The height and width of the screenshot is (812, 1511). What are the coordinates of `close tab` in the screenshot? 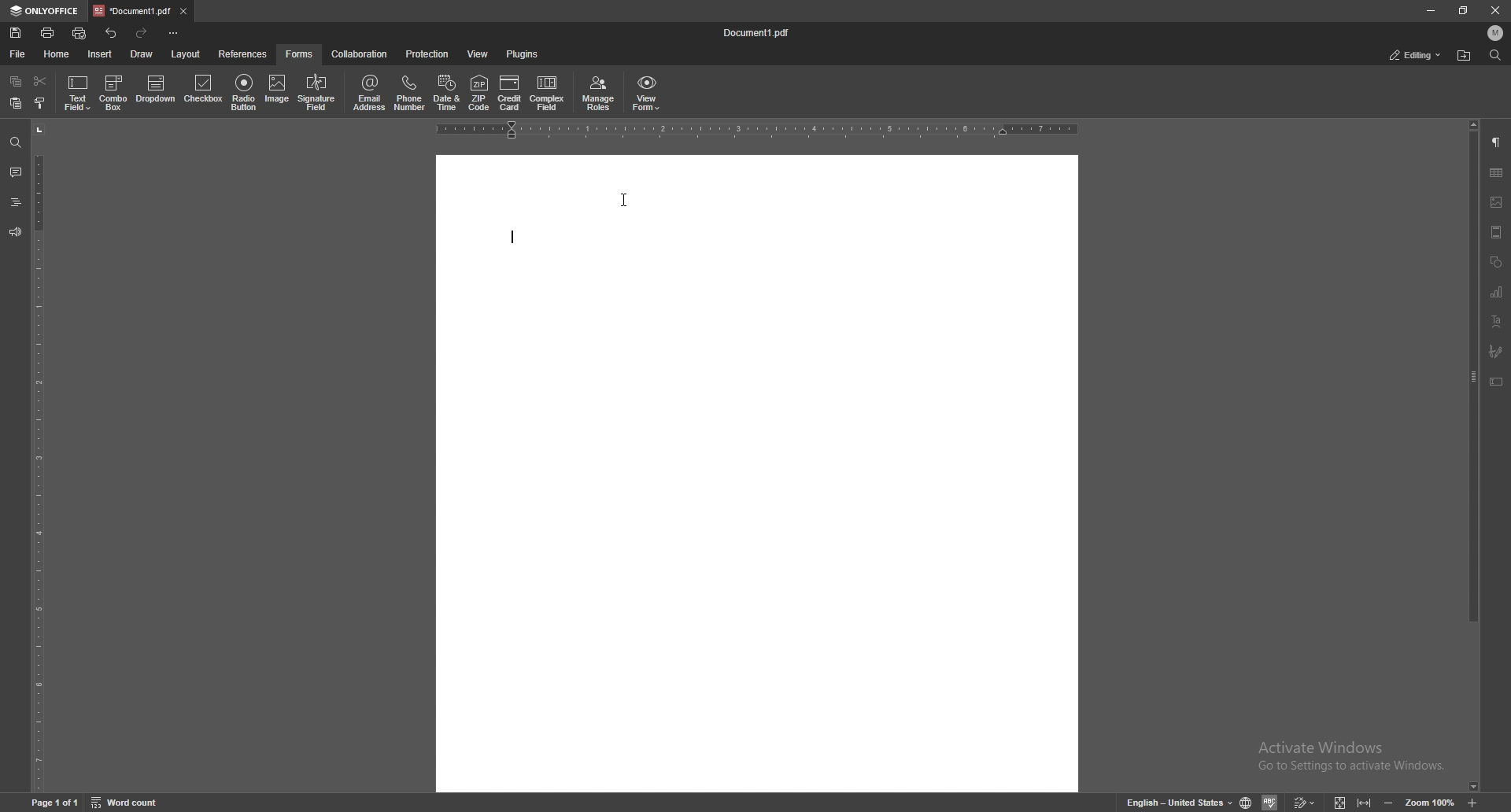 It's located at (185, 11).